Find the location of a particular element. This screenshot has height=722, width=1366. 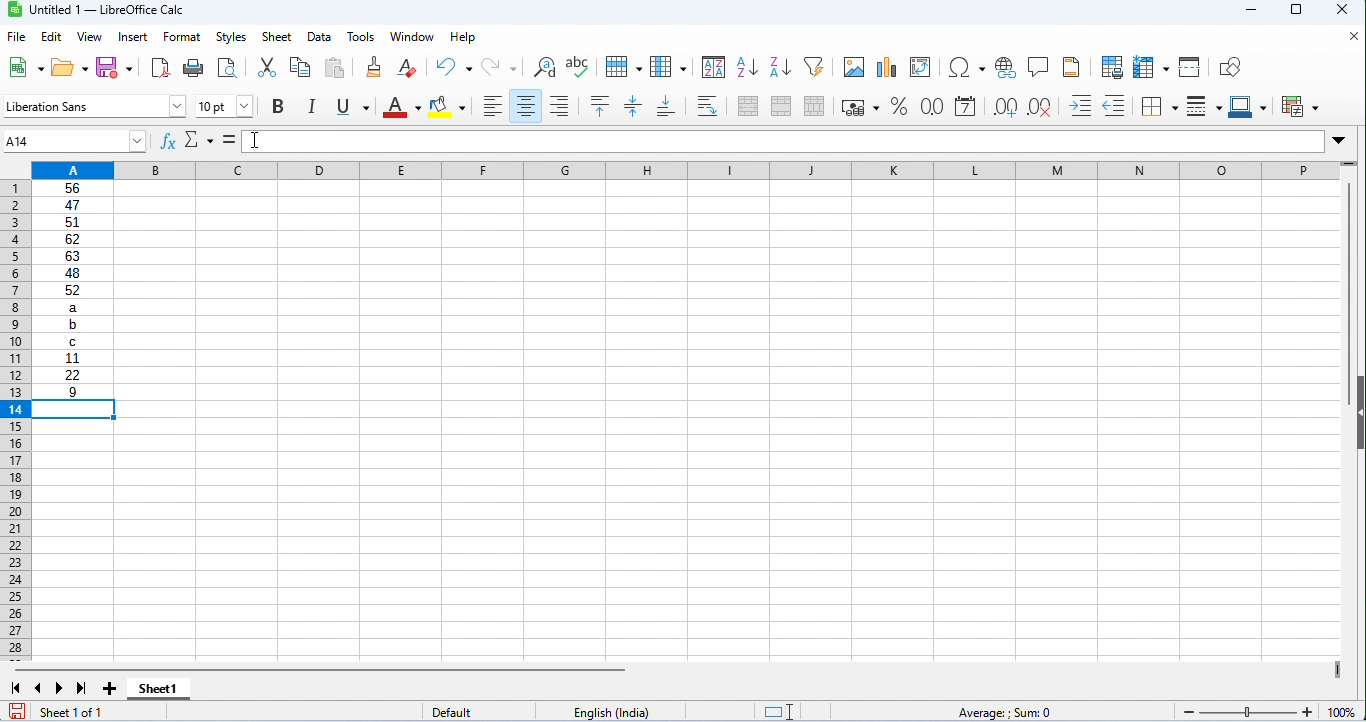

decrease indent is located at coordinates (1117, 105).